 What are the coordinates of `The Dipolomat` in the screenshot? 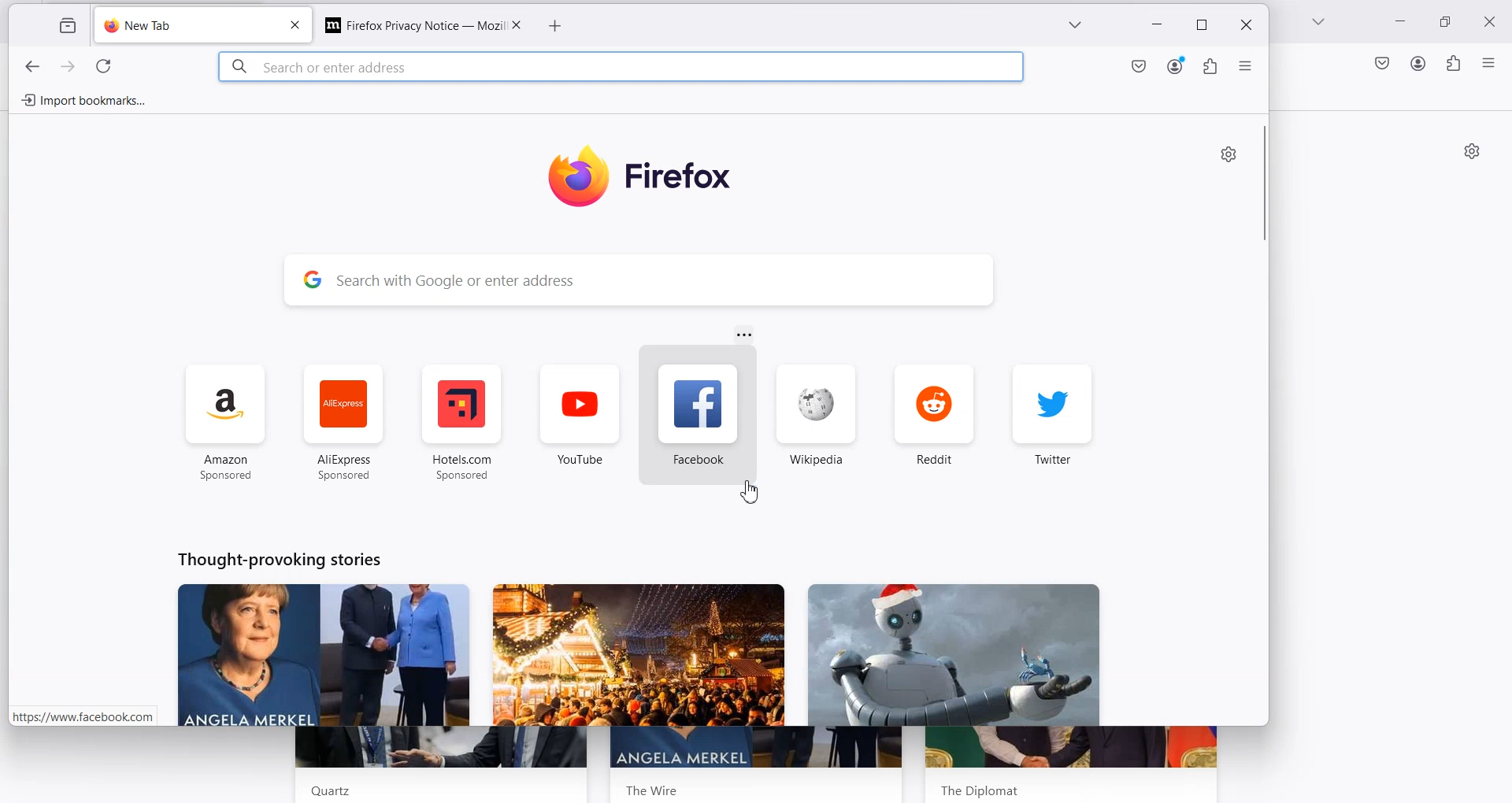 It's located at (975, 787).